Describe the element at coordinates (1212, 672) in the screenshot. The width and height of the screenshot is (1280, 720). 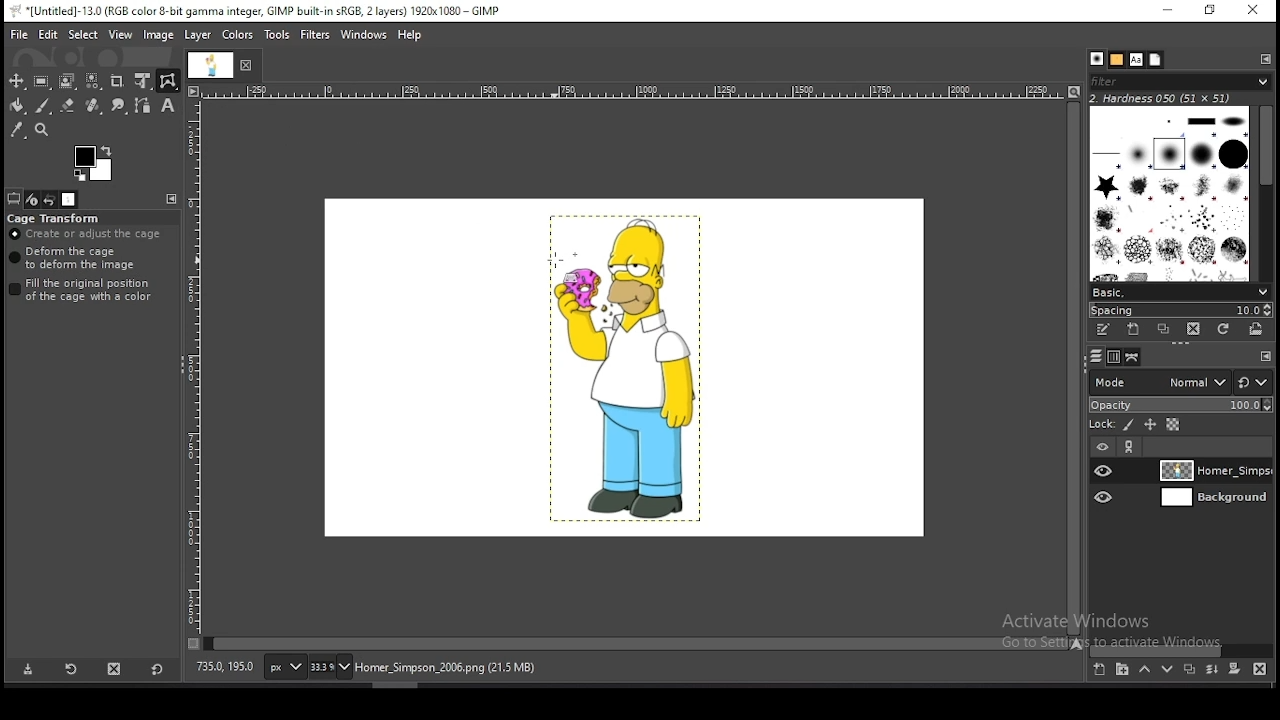
I see `merge layers` at that location.